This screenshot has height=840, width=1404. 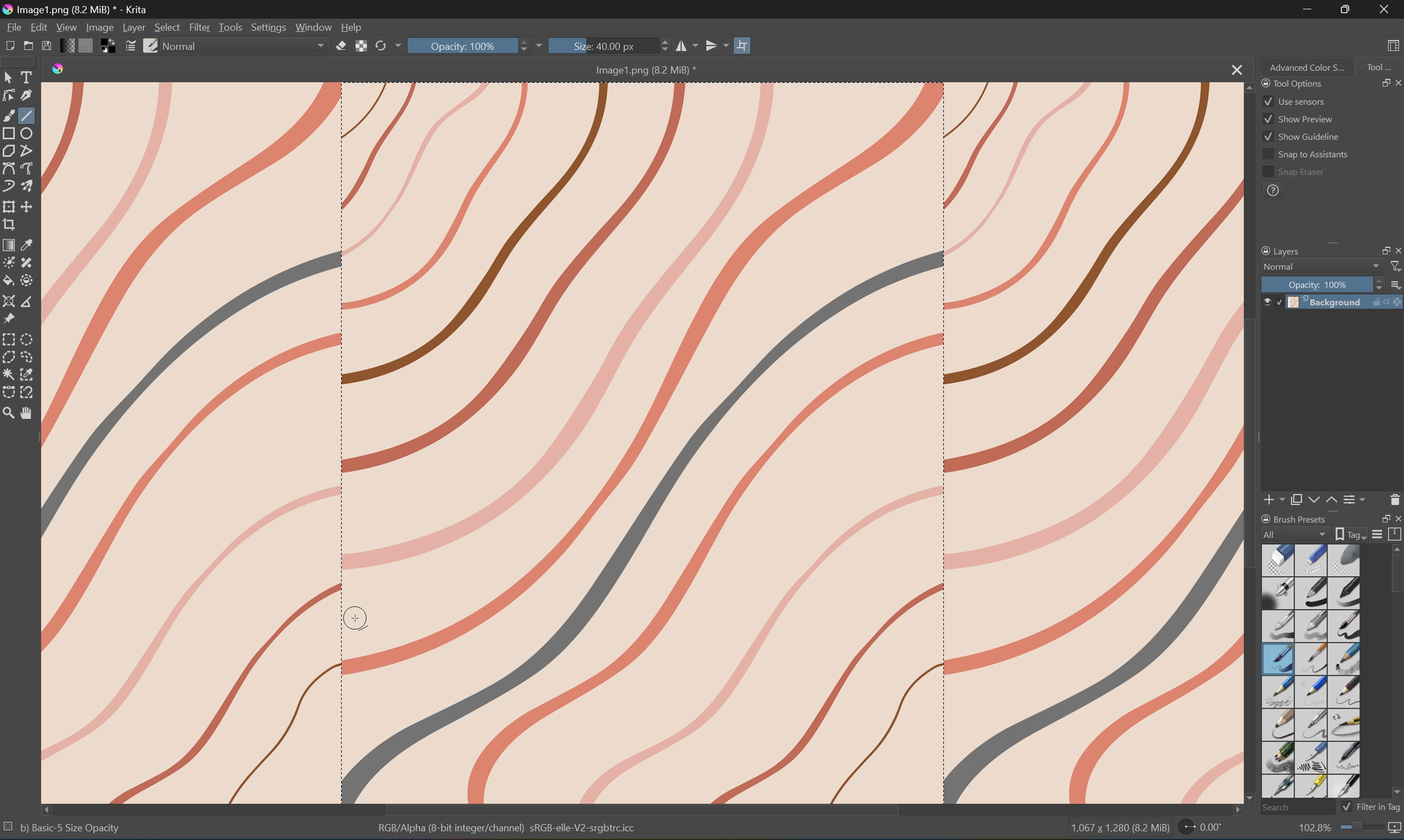 What do you see at coordinates (9, 339) in the screenshot?
I see `Rectangular selection` at bounding box center [9, 339].